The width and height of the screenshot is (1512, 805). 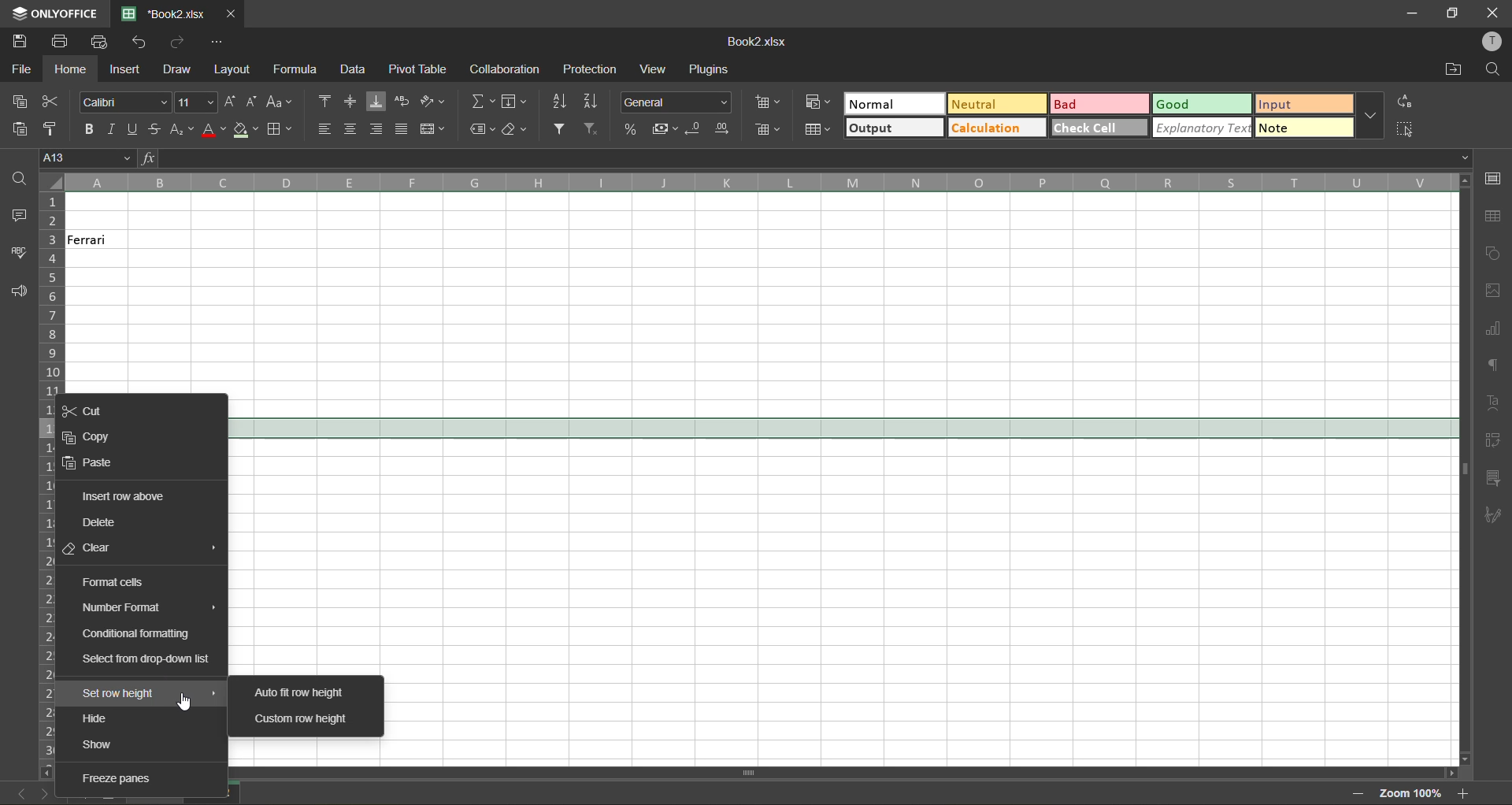 I want to click on show, so click(x=100, y=744).